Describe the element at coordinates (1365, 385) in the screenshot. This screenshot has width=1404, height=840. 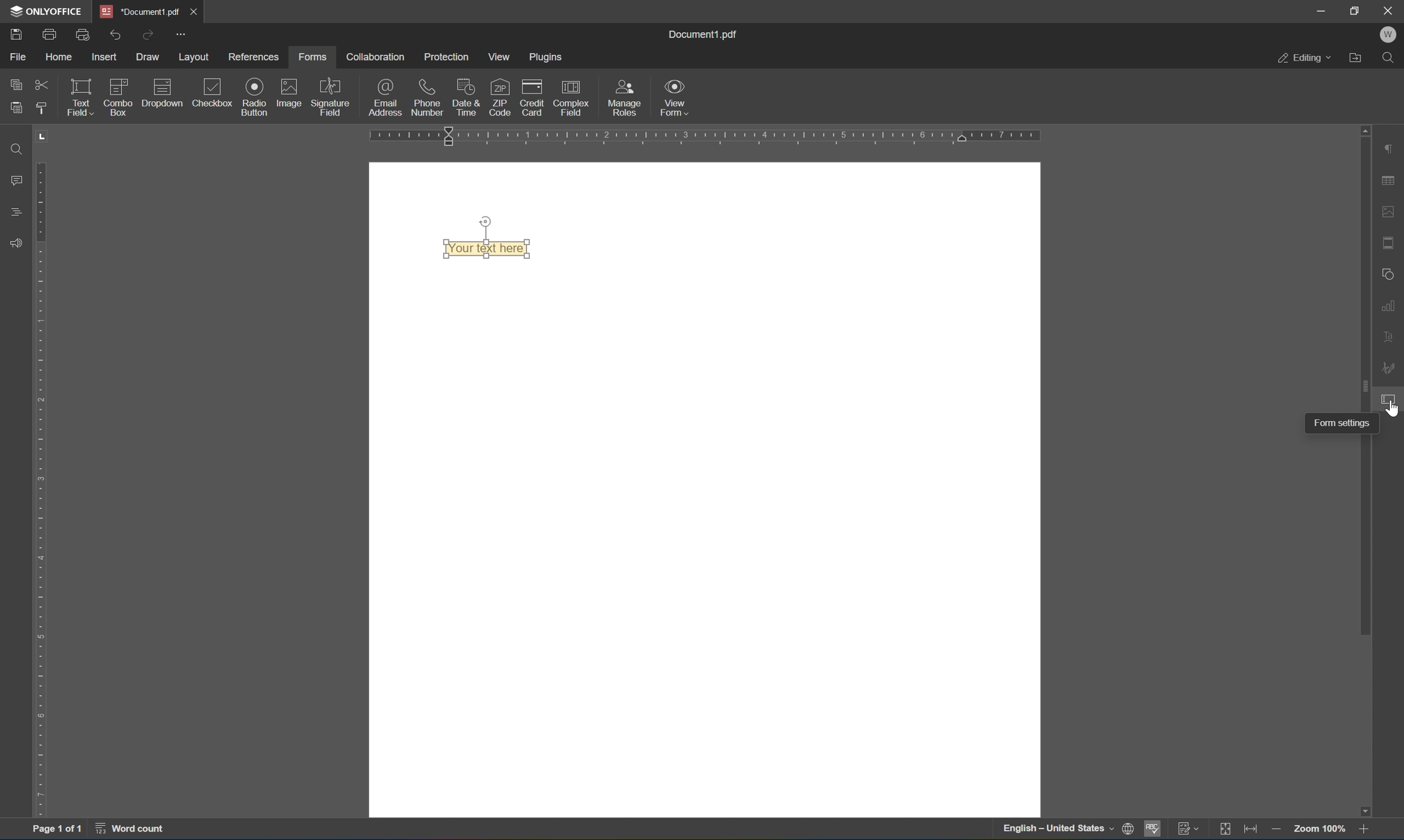
I see `scroll bar` at that location.